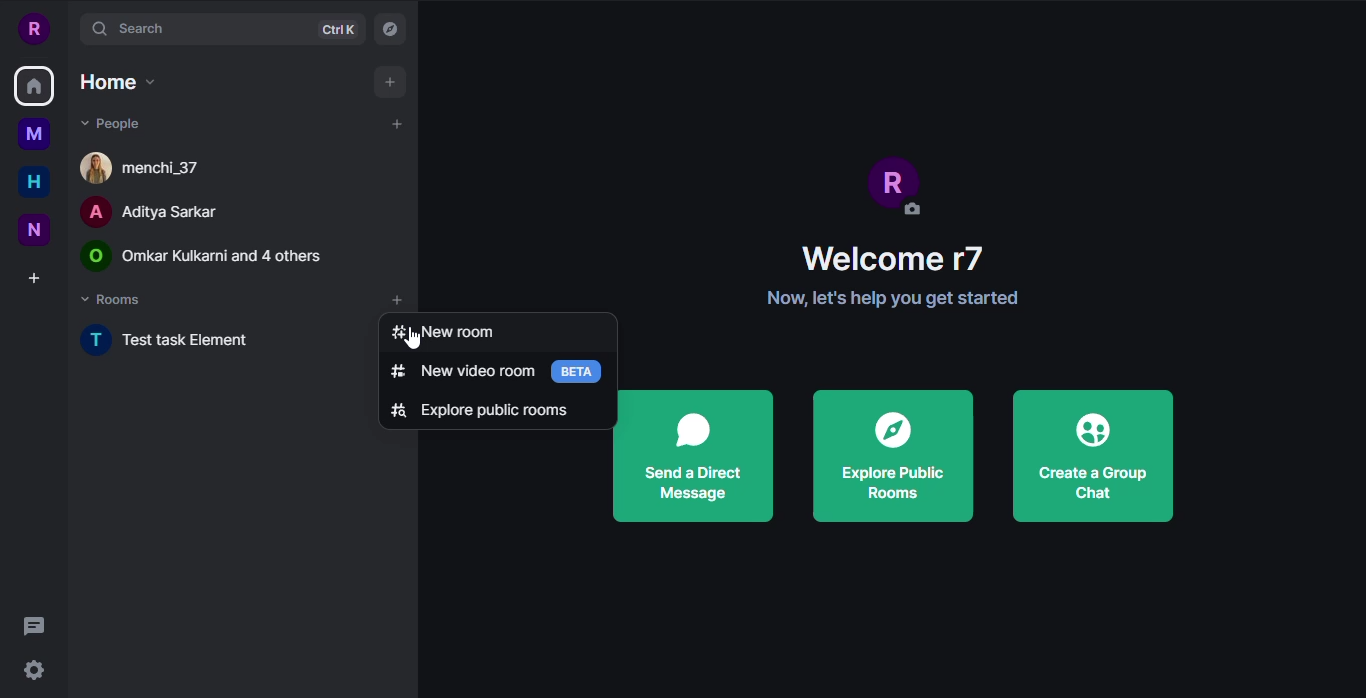 This screenshot has width=1366, height=698. I want to click on rooms, so click(113, 300).